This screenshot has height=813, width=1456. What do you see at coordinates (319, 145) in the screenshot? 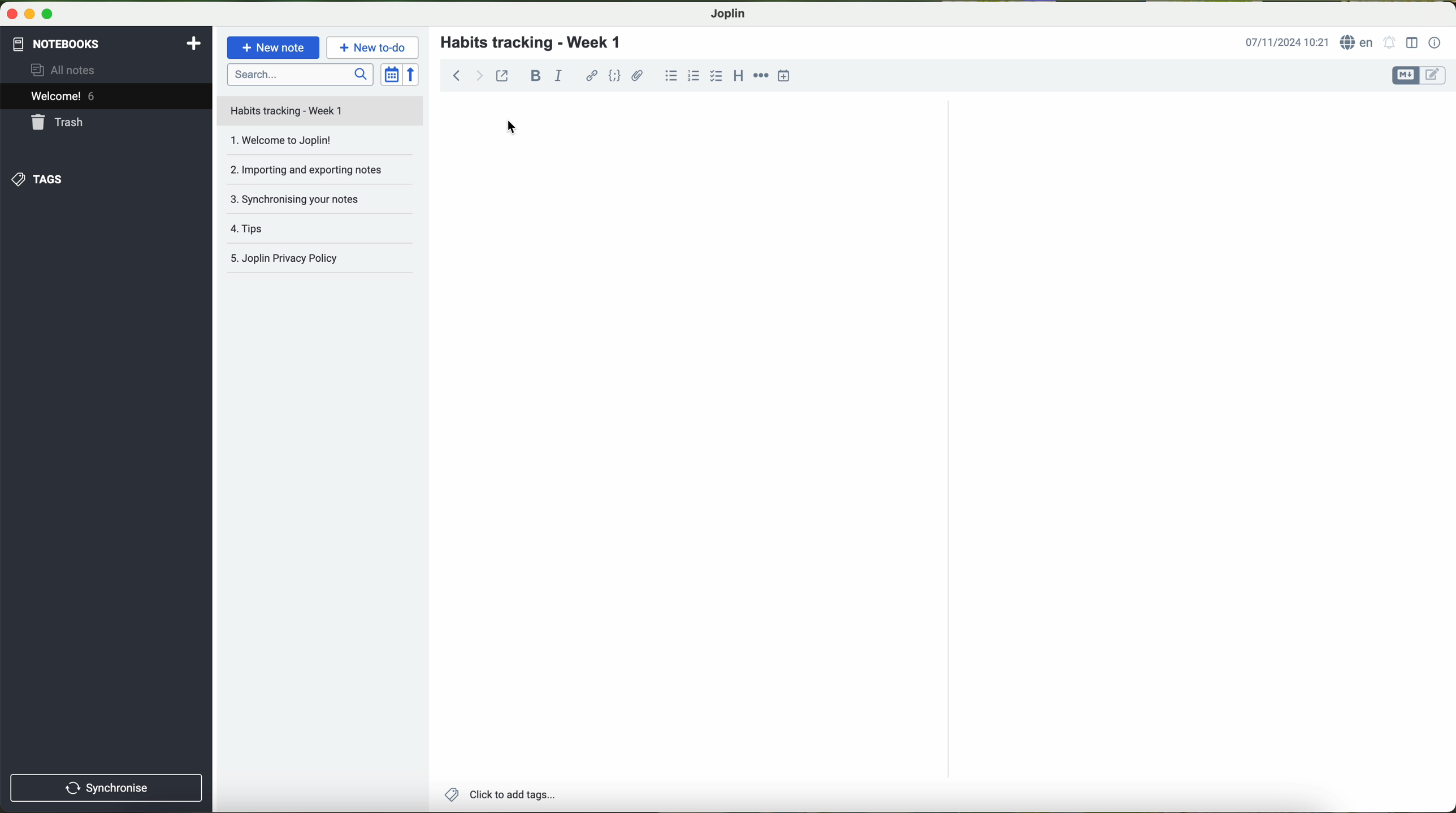
I see `welcome to Joplin` at bounding box center [319, 145].